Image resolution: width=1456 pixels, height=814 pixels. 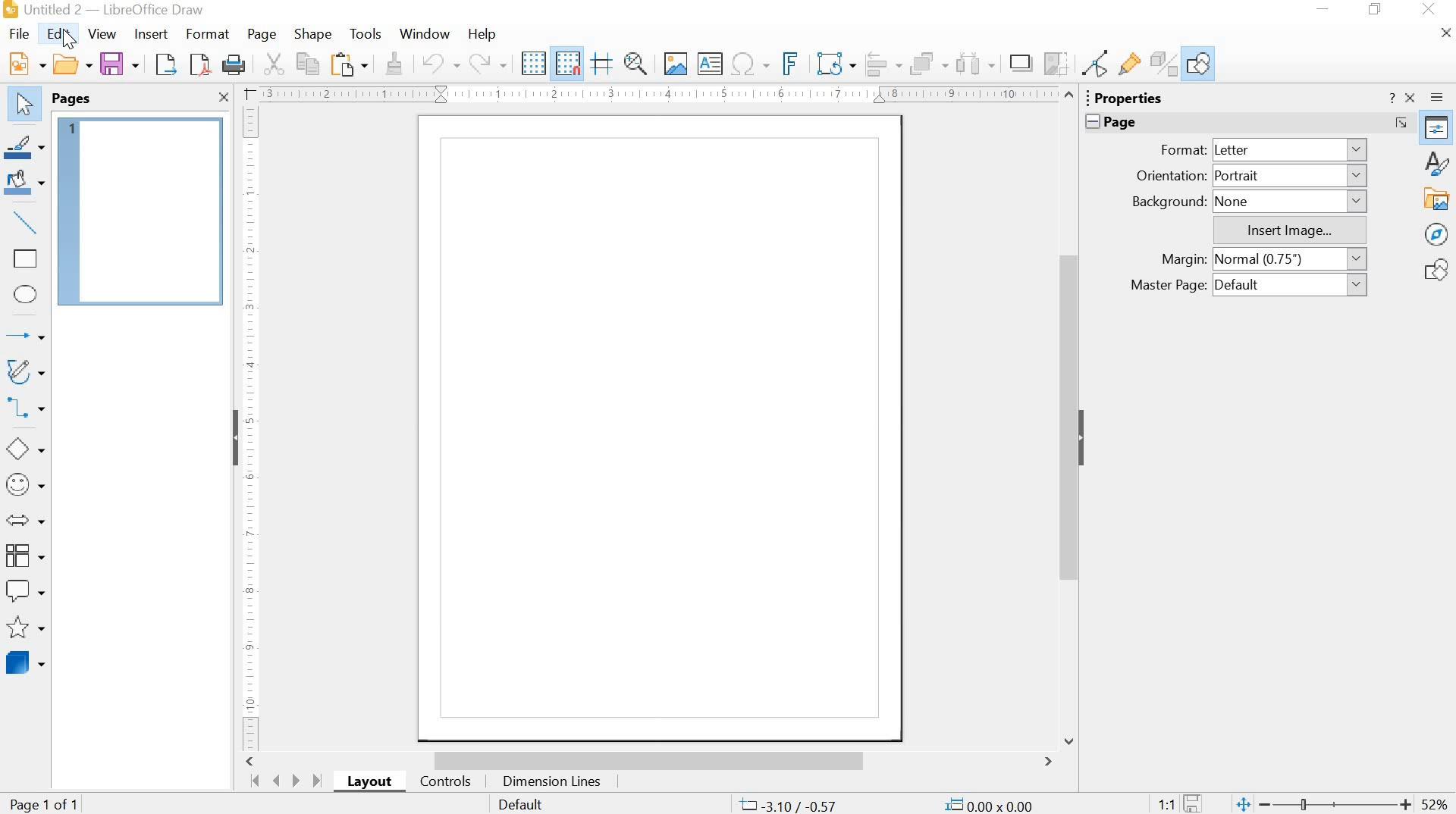 I want to click on Stars and Banners (double click for multi-selection), so click(x=27, y=627).